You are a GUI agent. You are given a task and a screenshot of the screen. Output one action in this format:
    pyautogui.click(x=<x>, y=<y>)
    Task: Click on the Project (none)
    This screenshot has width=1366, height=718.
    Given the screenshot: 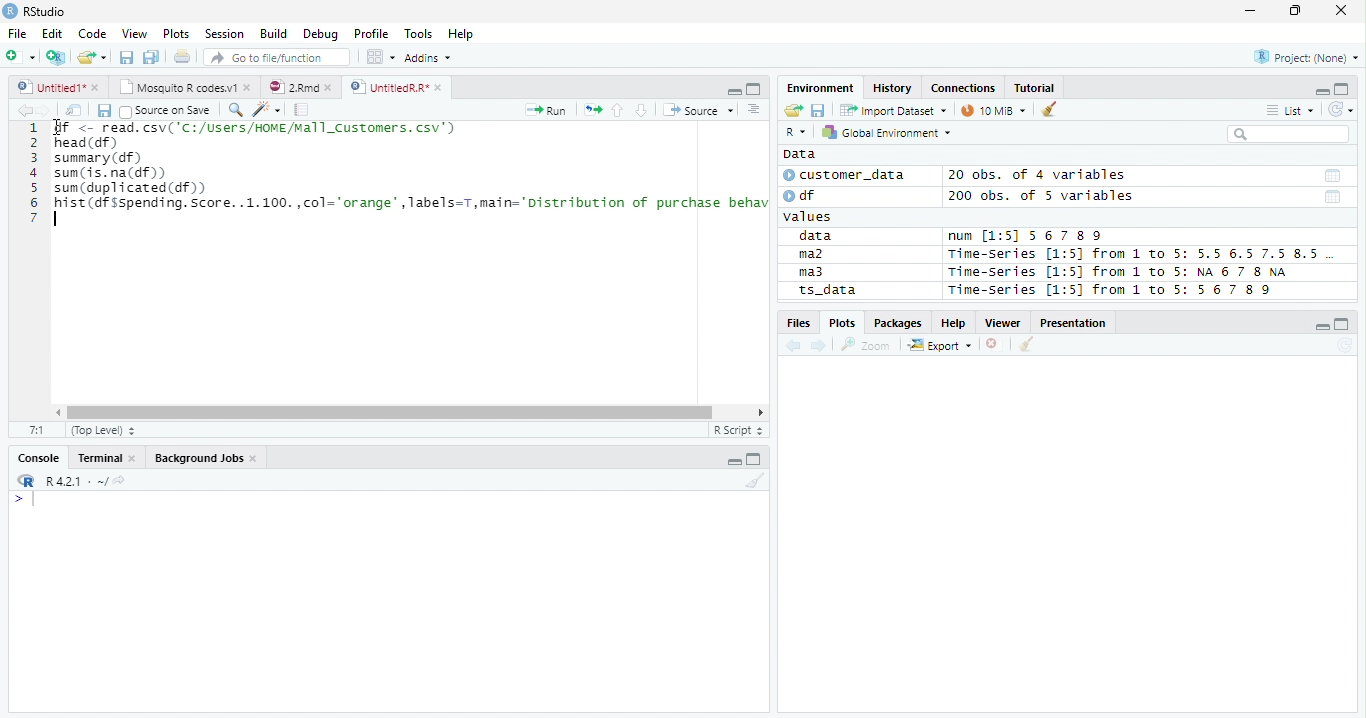 What is the action you would take?
    pyautogui.click(x=1309, y=55)
    